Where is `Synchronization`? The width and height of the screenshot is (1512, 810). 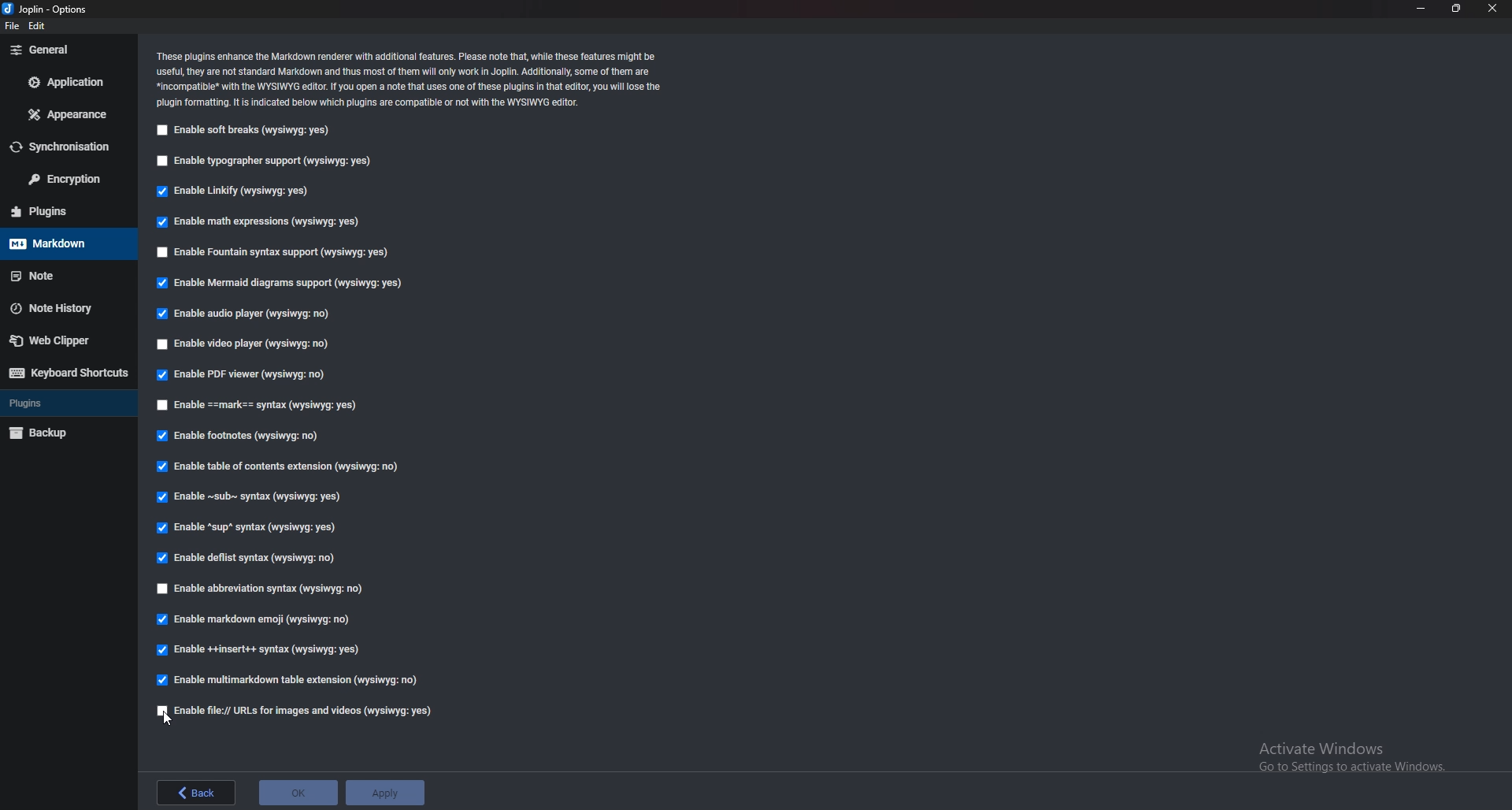
Synchronization is located at coordinates (62, 147).